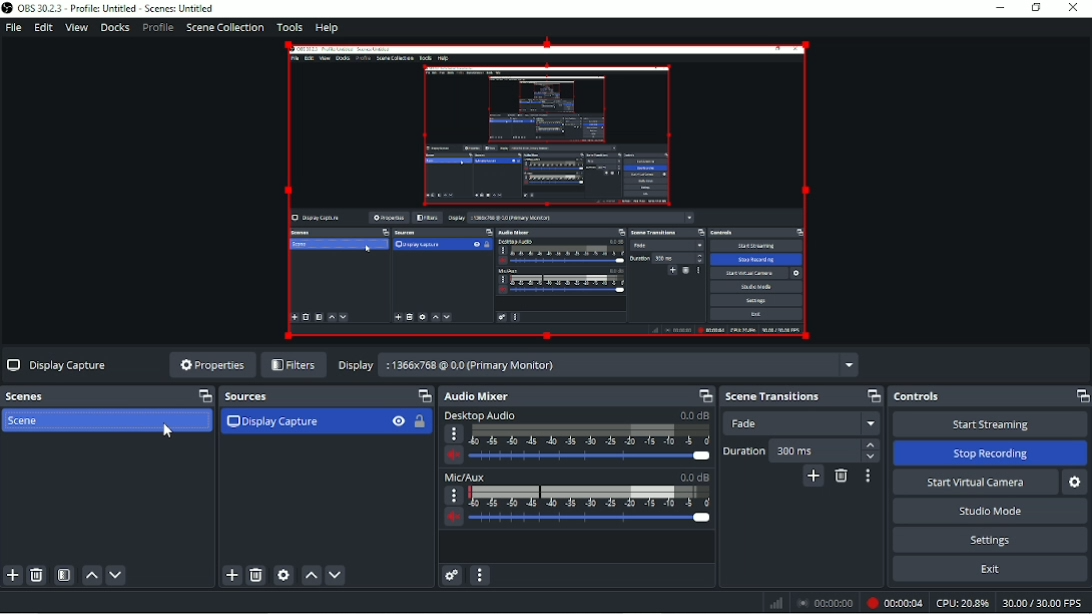  What do you see at coordinates (1076, 483) in the screenshot?
I see `Configure virtual camera` at bounding box center [1076, 483].